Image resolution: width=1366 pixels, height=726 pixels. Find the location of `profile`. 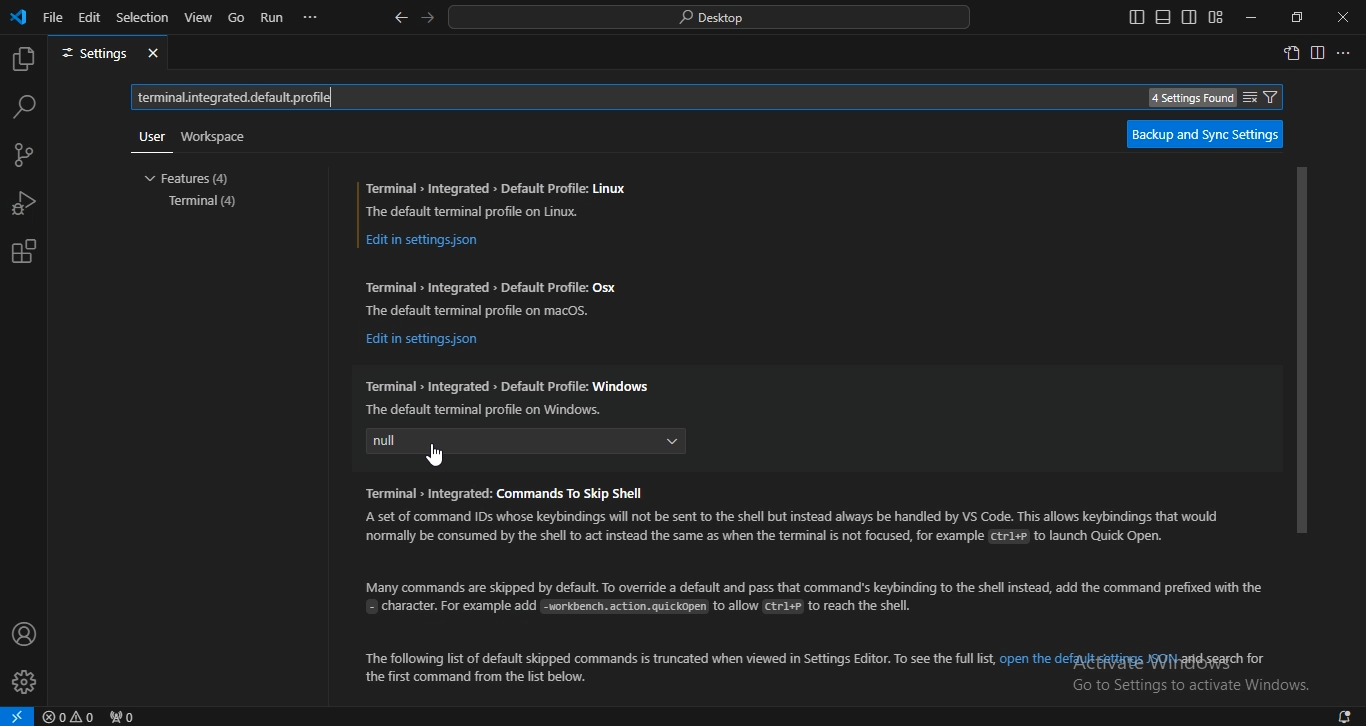

profile is located at coordinates (24, 683).